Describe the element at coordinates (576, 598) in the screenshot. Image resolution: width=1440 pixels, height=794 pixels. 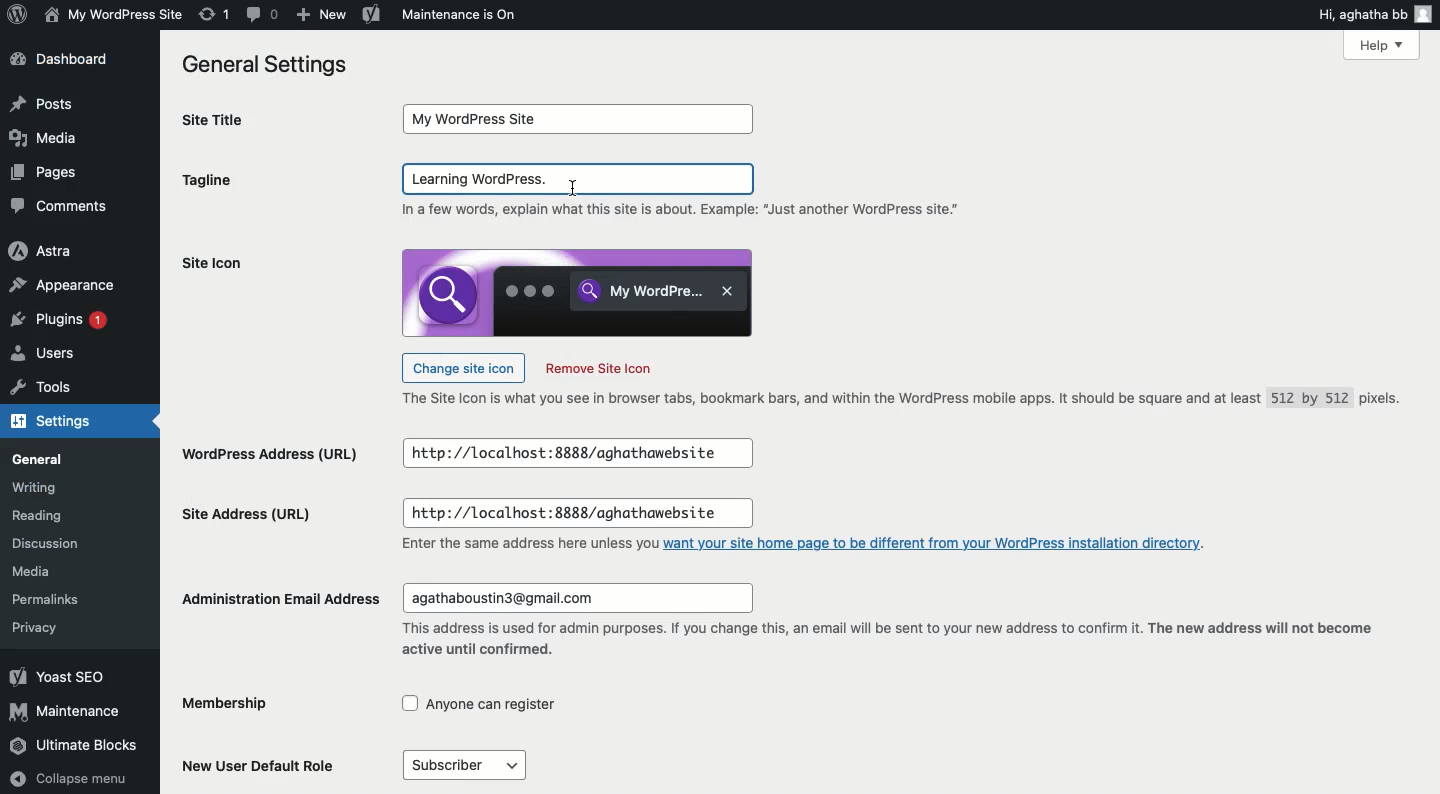
I see `input box` at that location.